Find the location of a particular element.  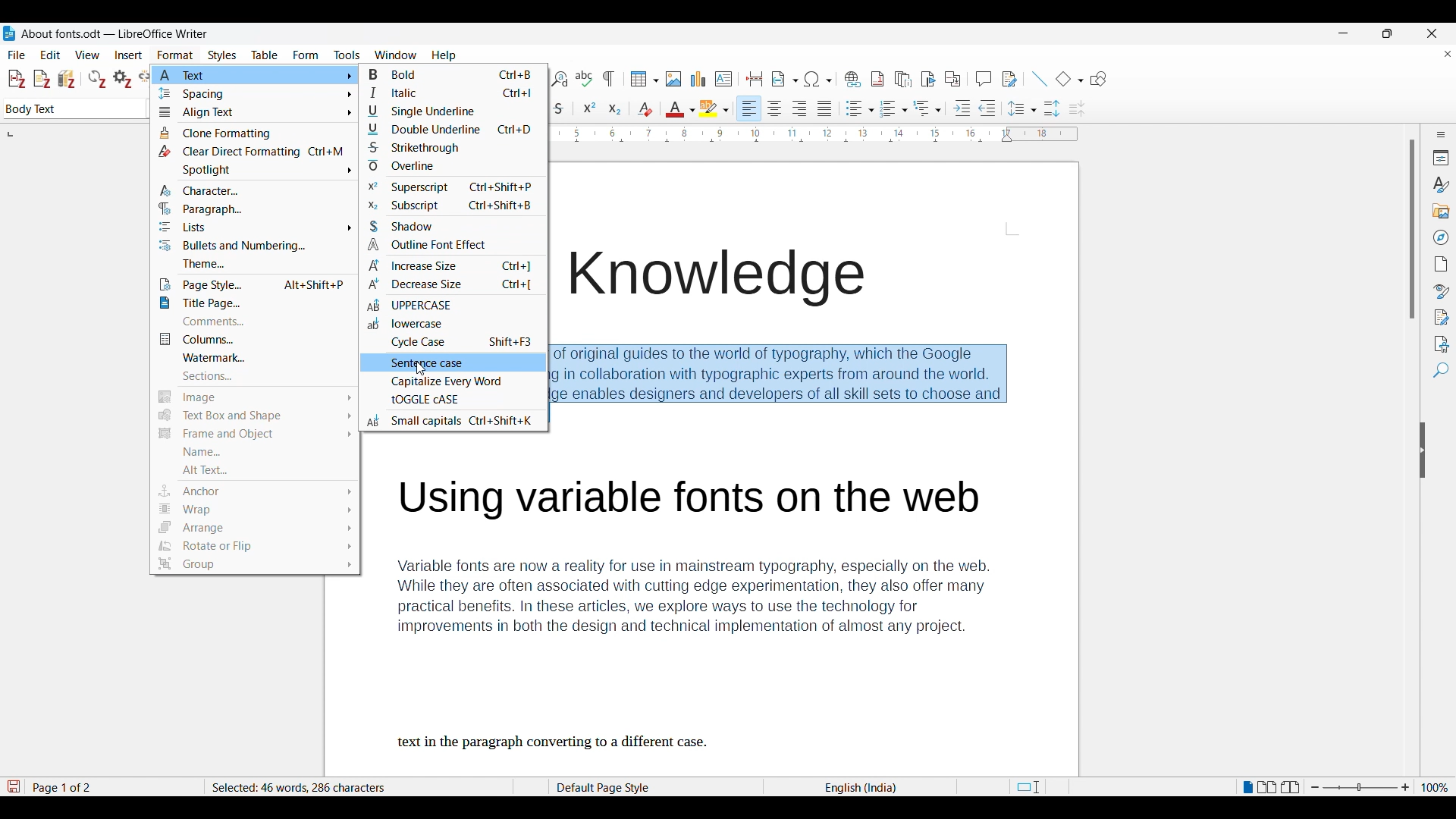

Gallery is located at coordinates (1442, 212).